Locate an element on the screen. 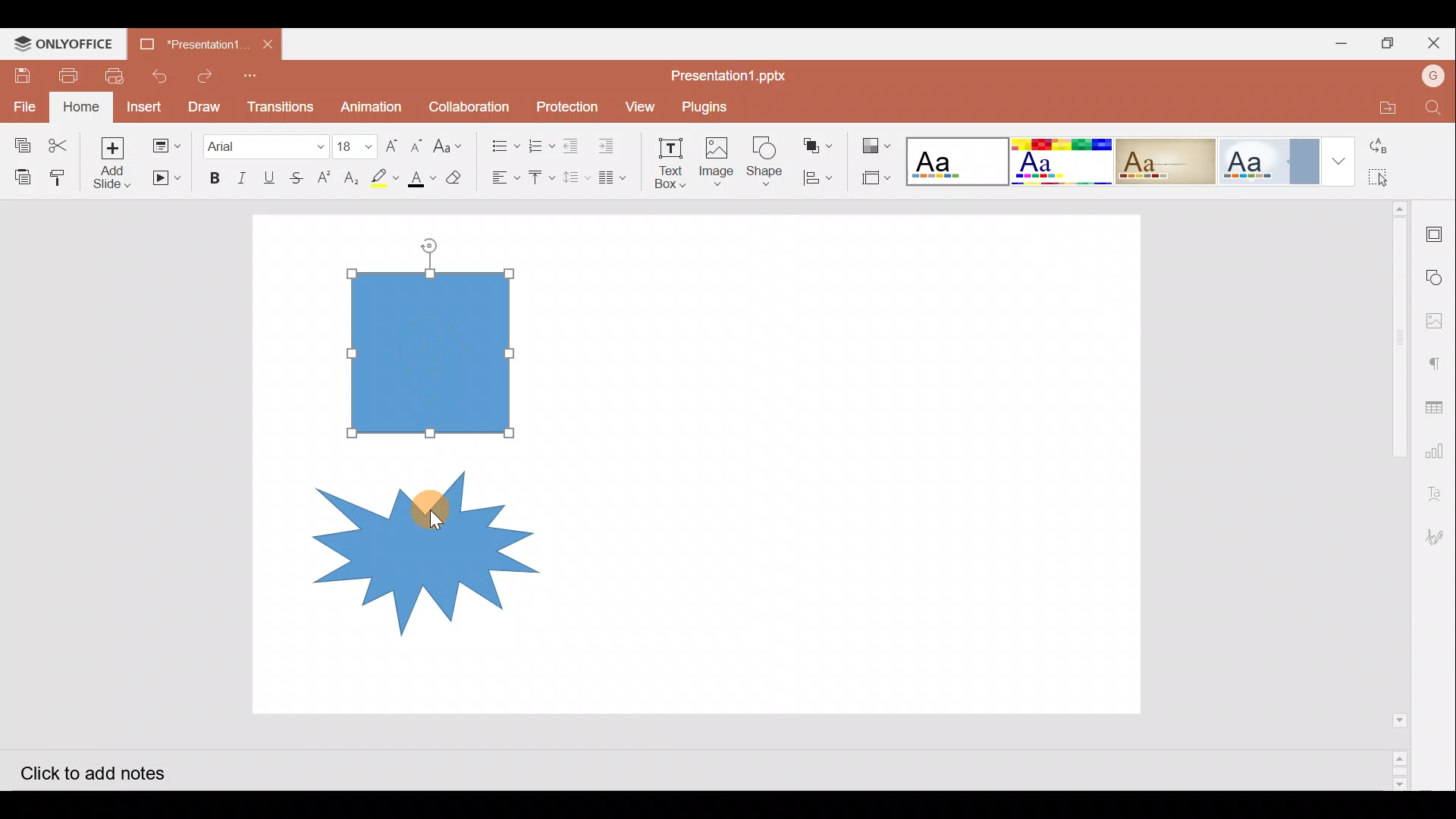 The height and width of the screenshot is (819, 1456). Cursor on object 2 is located at coordinates (426, 508).